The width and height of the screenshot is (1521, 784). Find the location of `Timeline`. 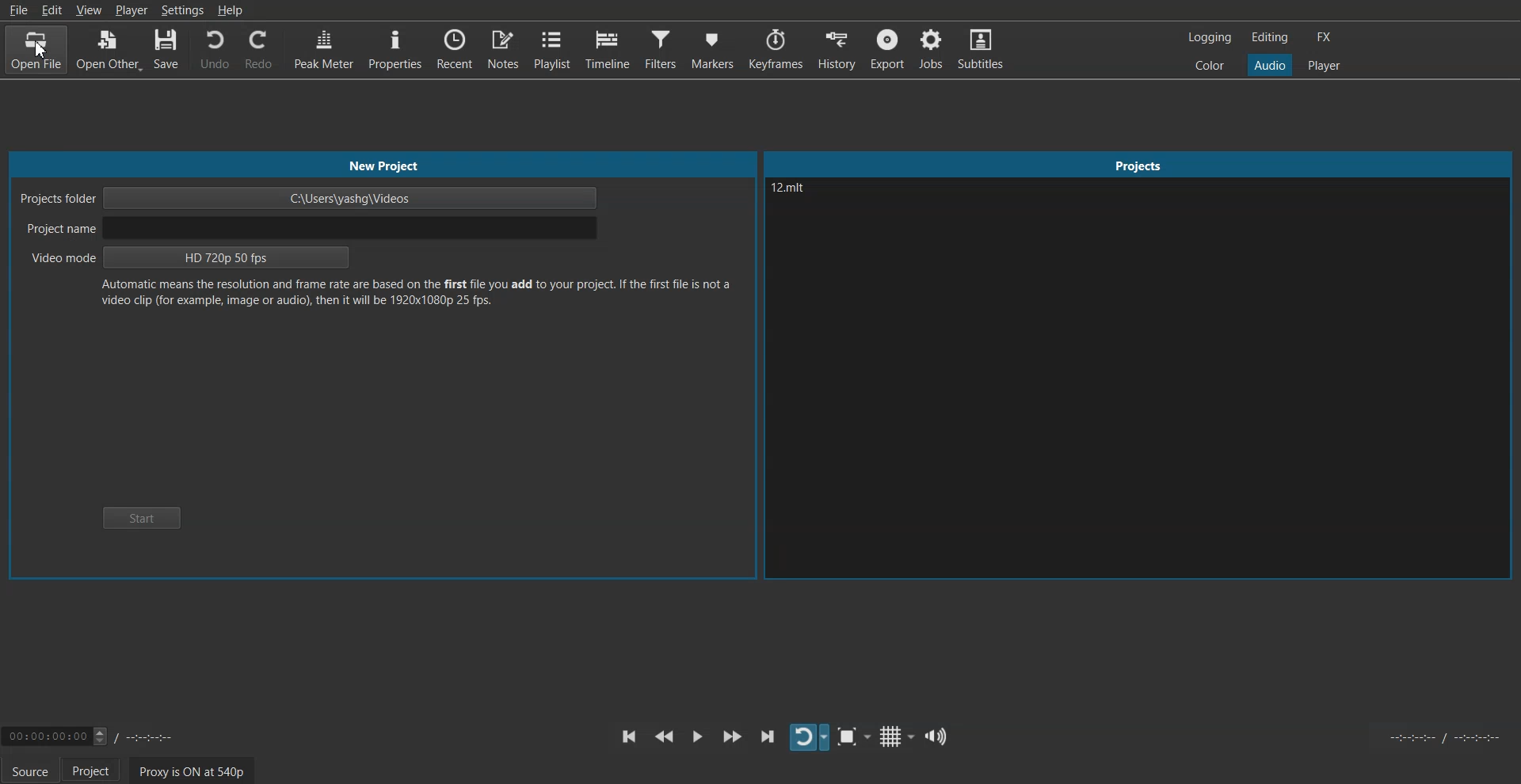

Timeline is located at coordinates (607, 49).